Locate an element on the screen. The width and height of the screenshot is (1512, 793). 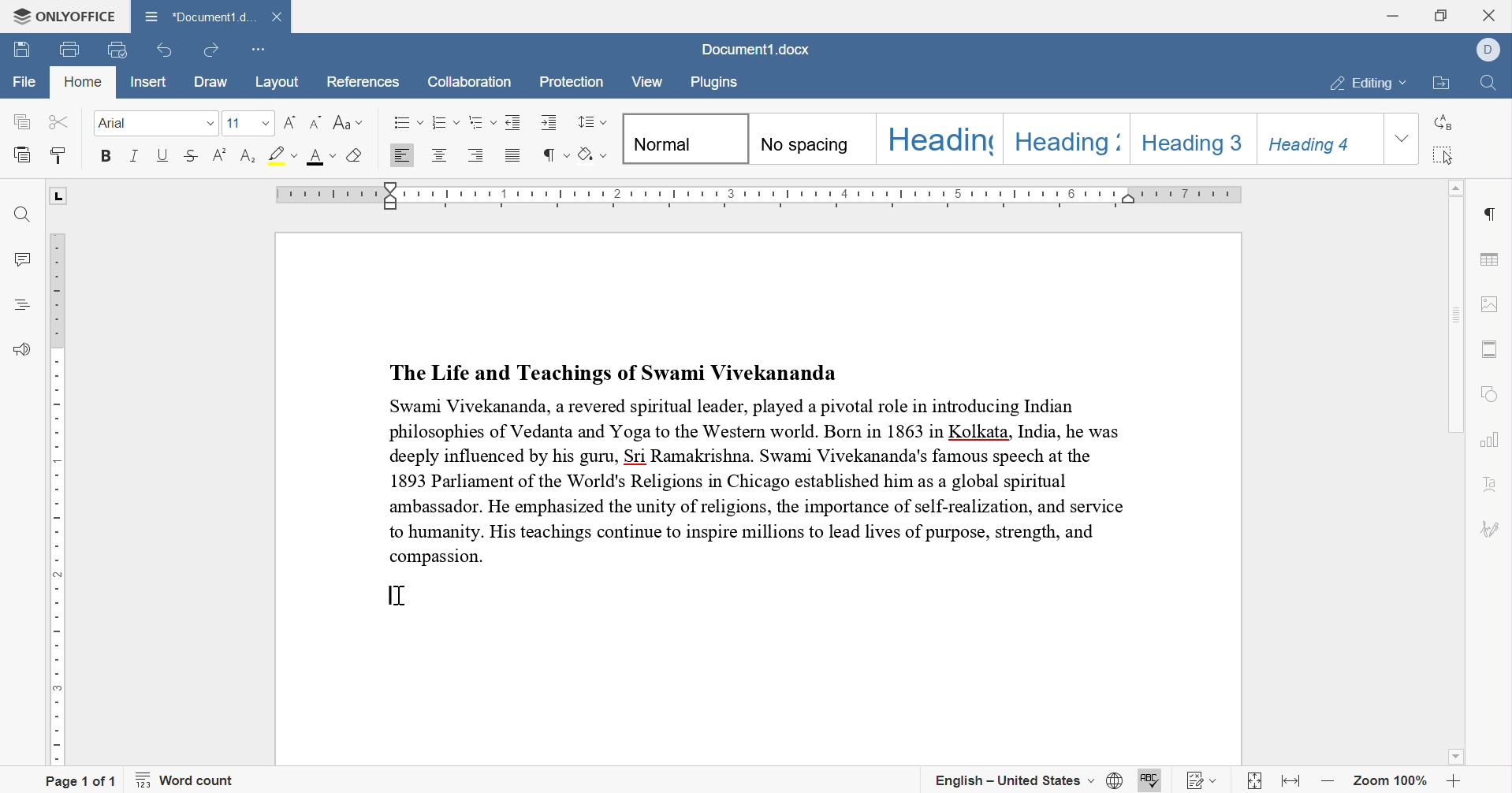
zoom 100% is located at coordinates (1391, 784).